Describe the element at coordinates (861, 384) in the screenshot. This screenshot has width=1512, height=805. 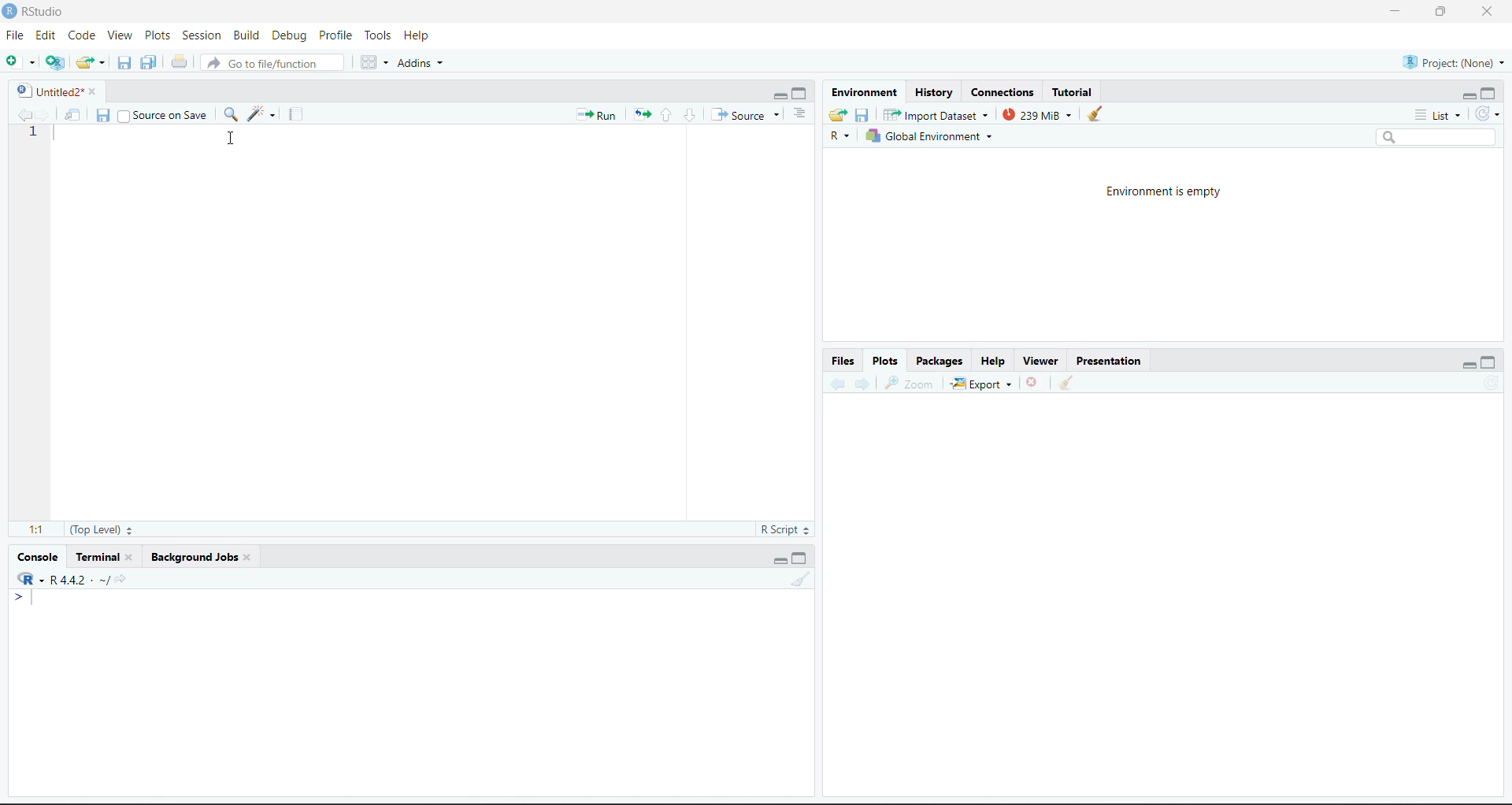
I see `Go forward to the next source location (Ctrl + F10)` at that location.